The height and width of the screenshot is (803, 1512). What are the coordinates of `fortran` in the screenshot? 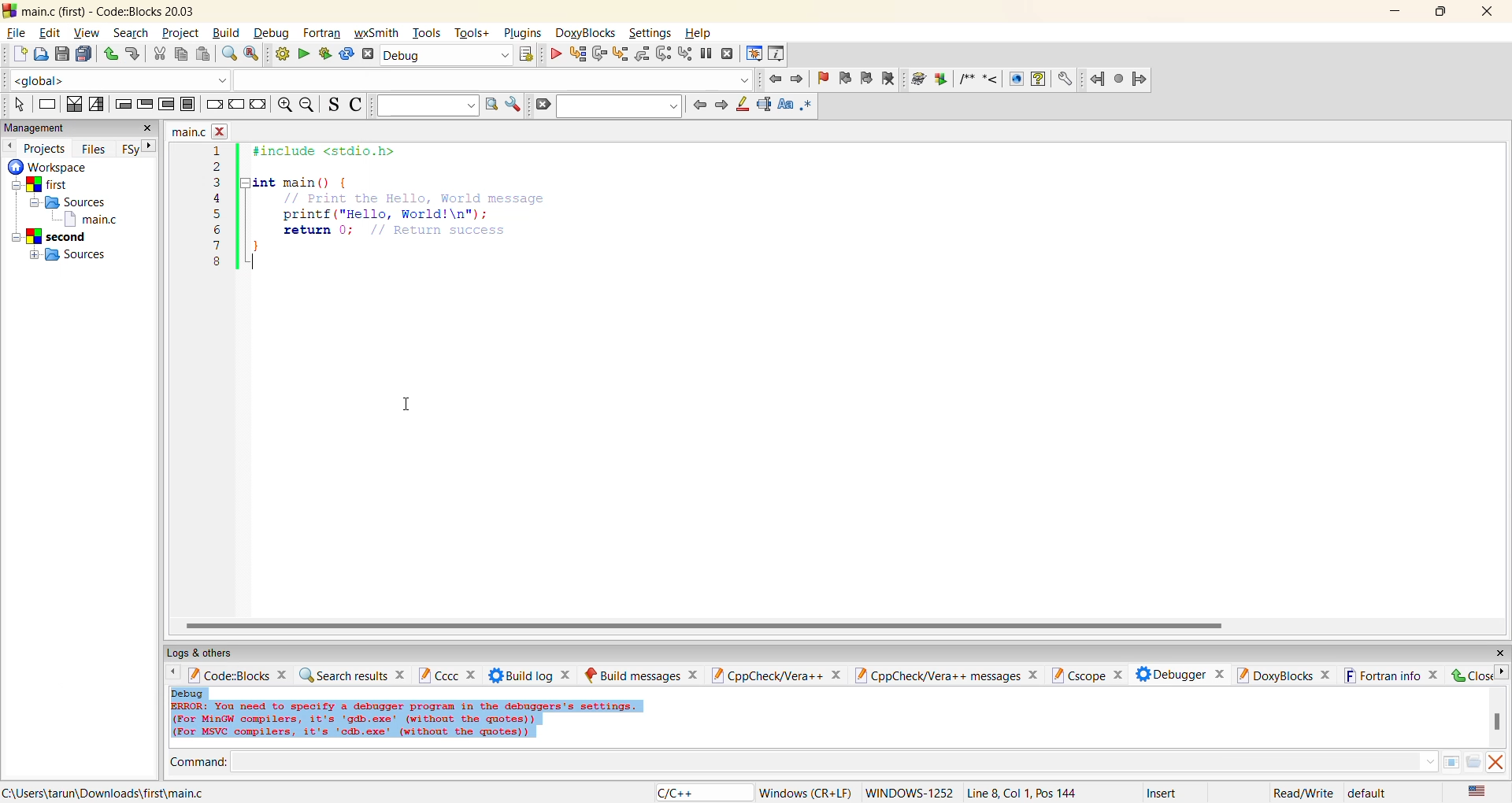 It's located at (322, 33).